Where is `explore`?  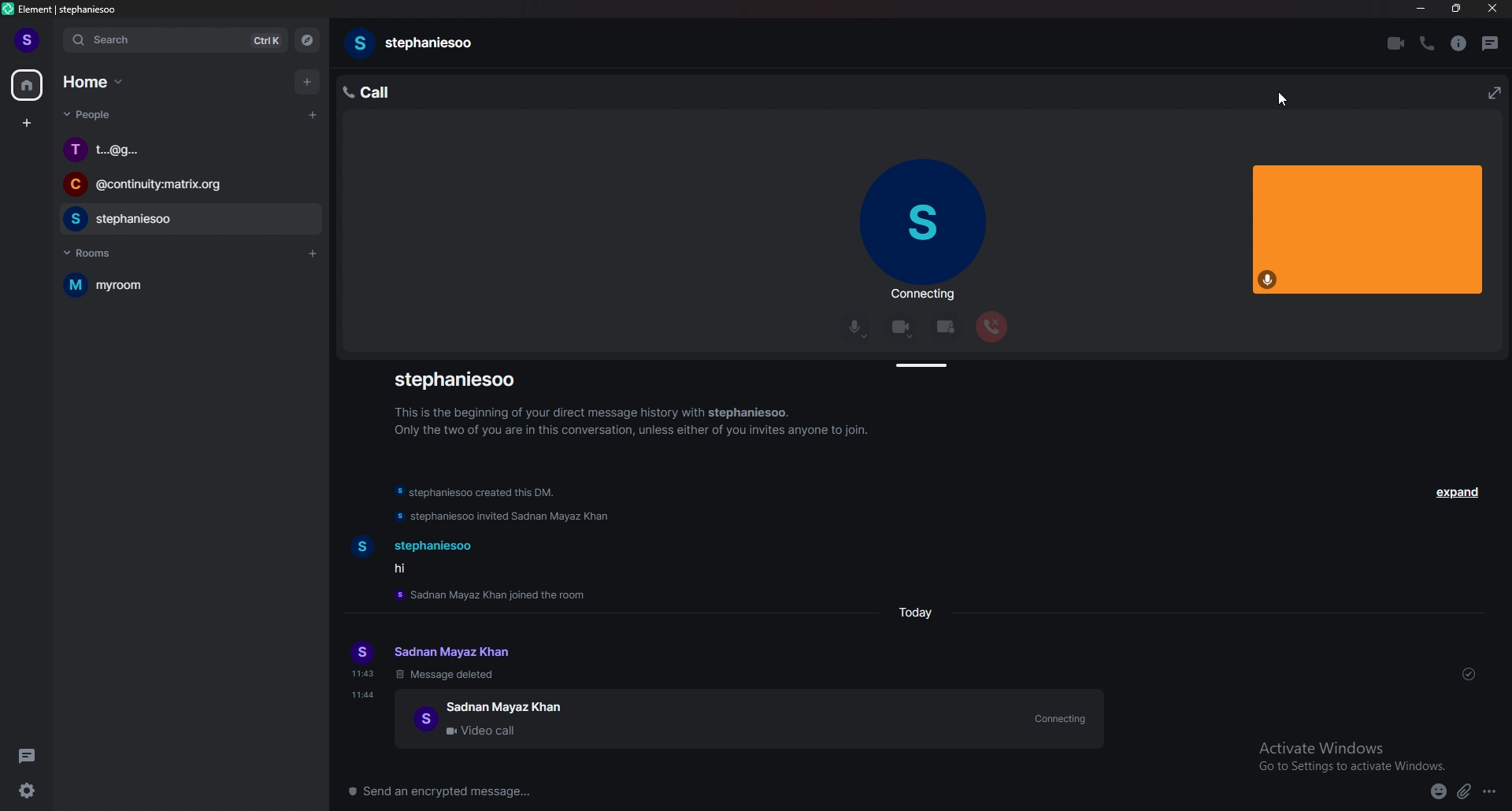
explore is located at coordinates (307, 40).